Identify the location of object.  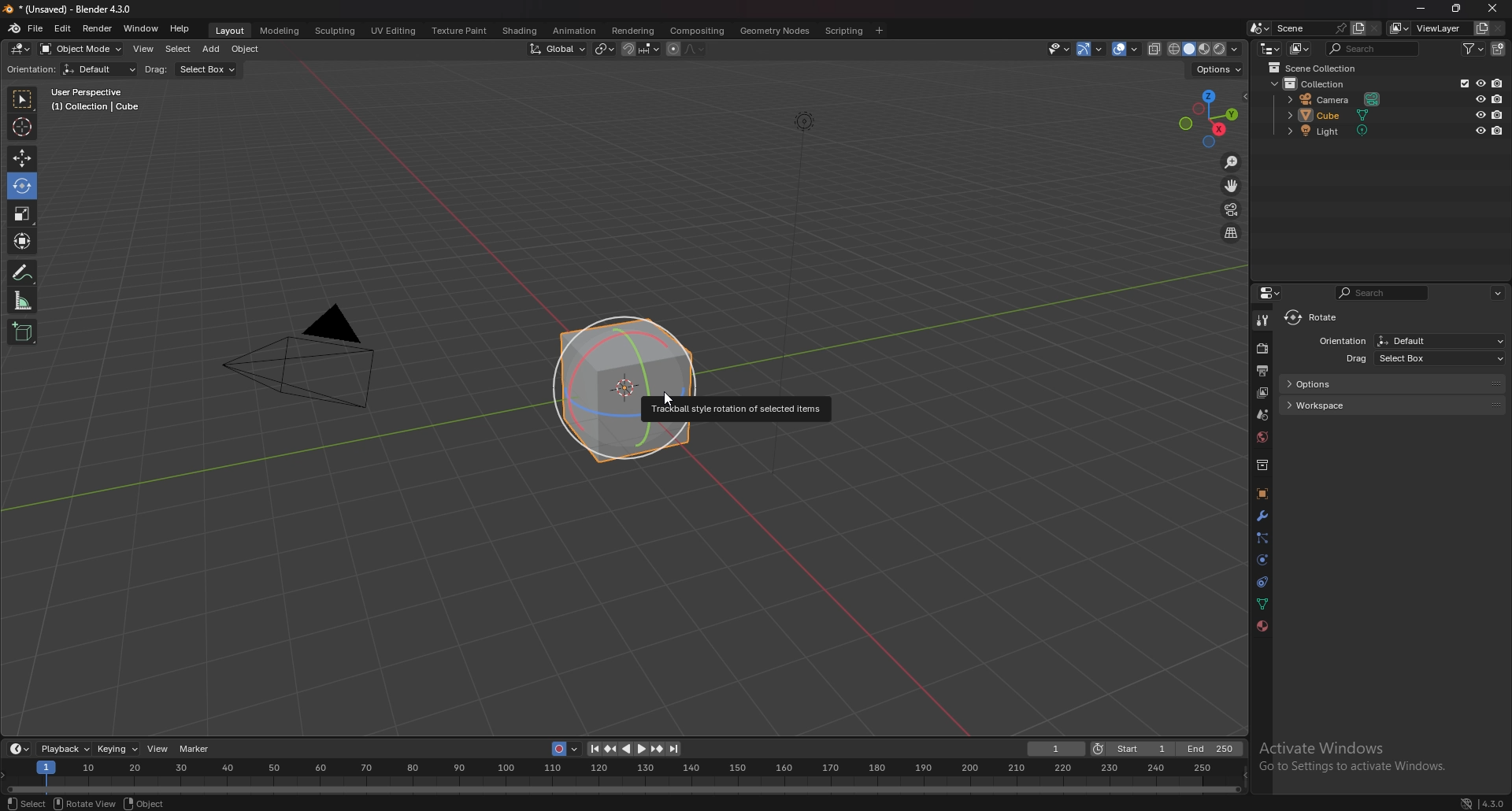
(246, 50).